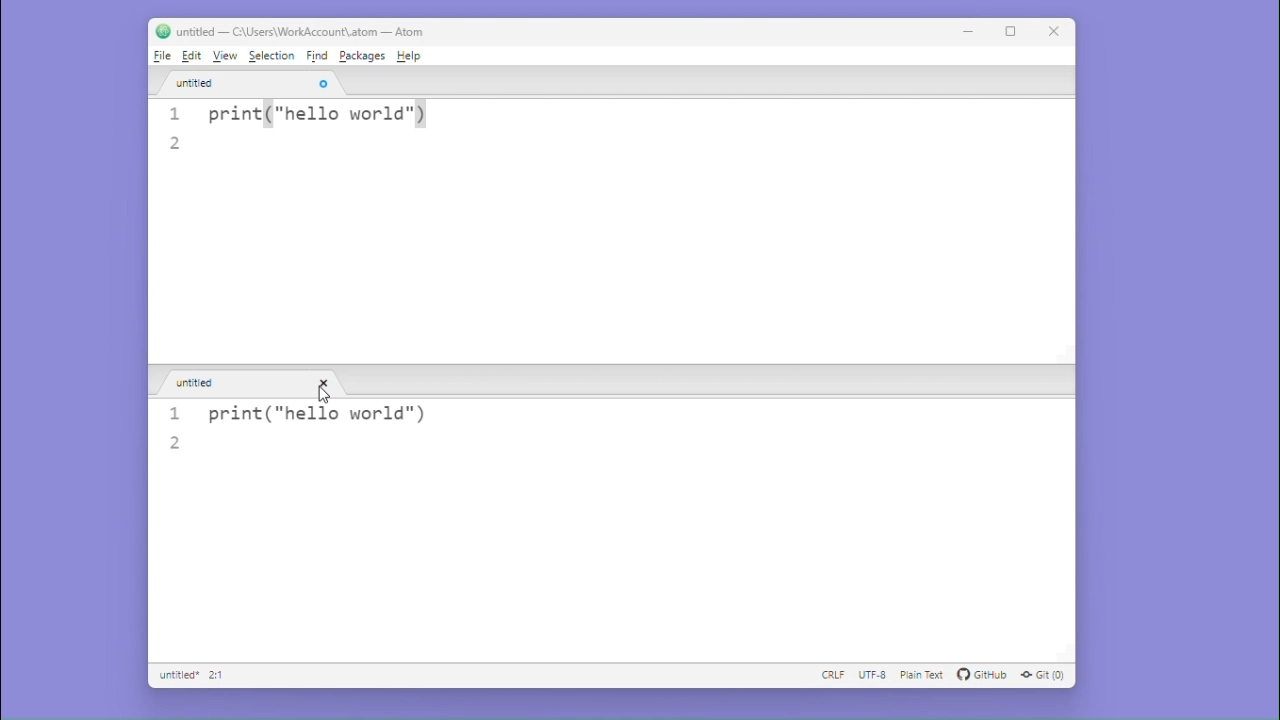 This screenshot has width=1280, height=720. I want to click on Package, so click(362, 57).